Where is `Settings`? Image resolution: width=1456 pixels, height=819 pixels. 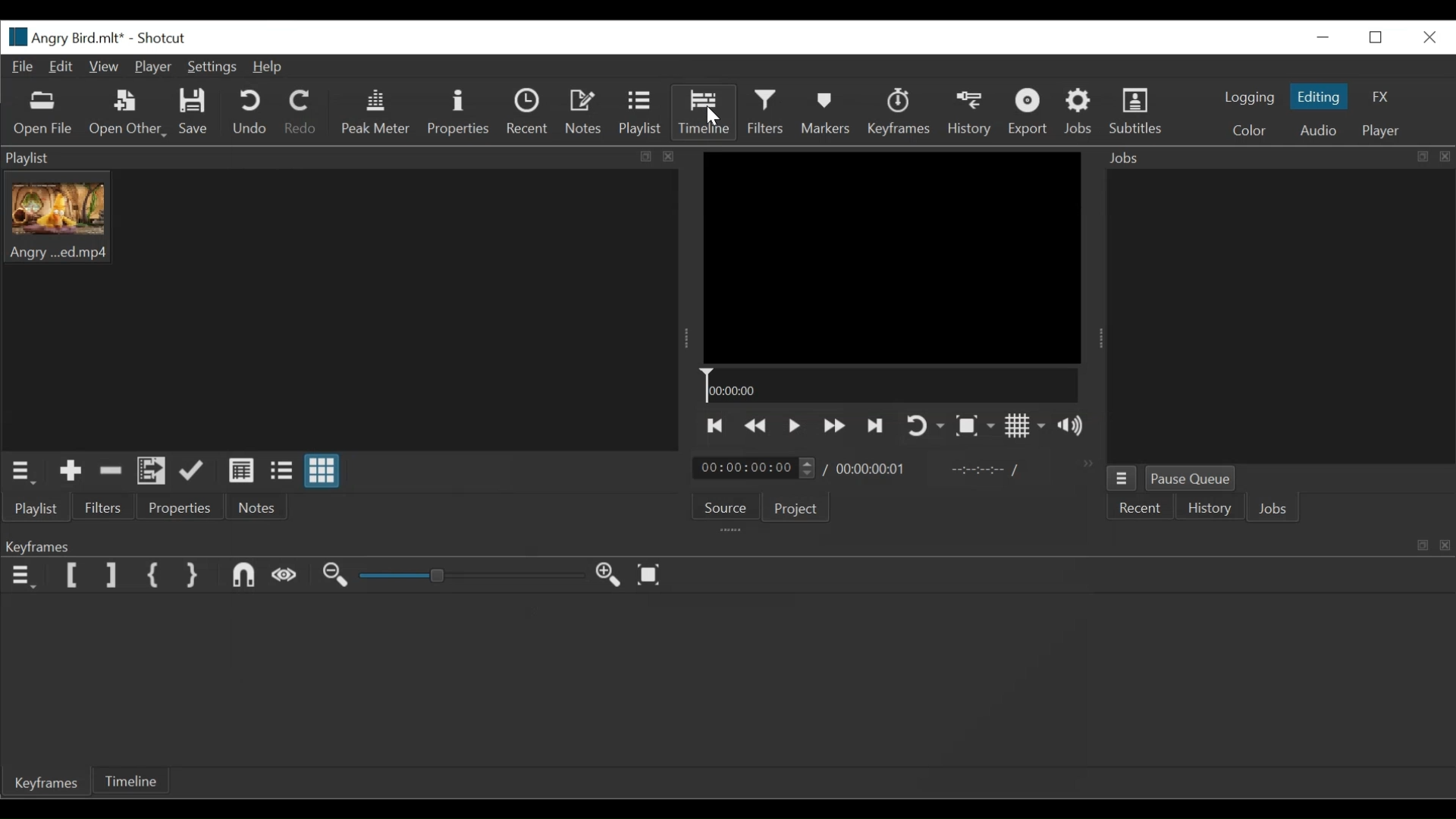 Settings is located at coordinates (211, 67).